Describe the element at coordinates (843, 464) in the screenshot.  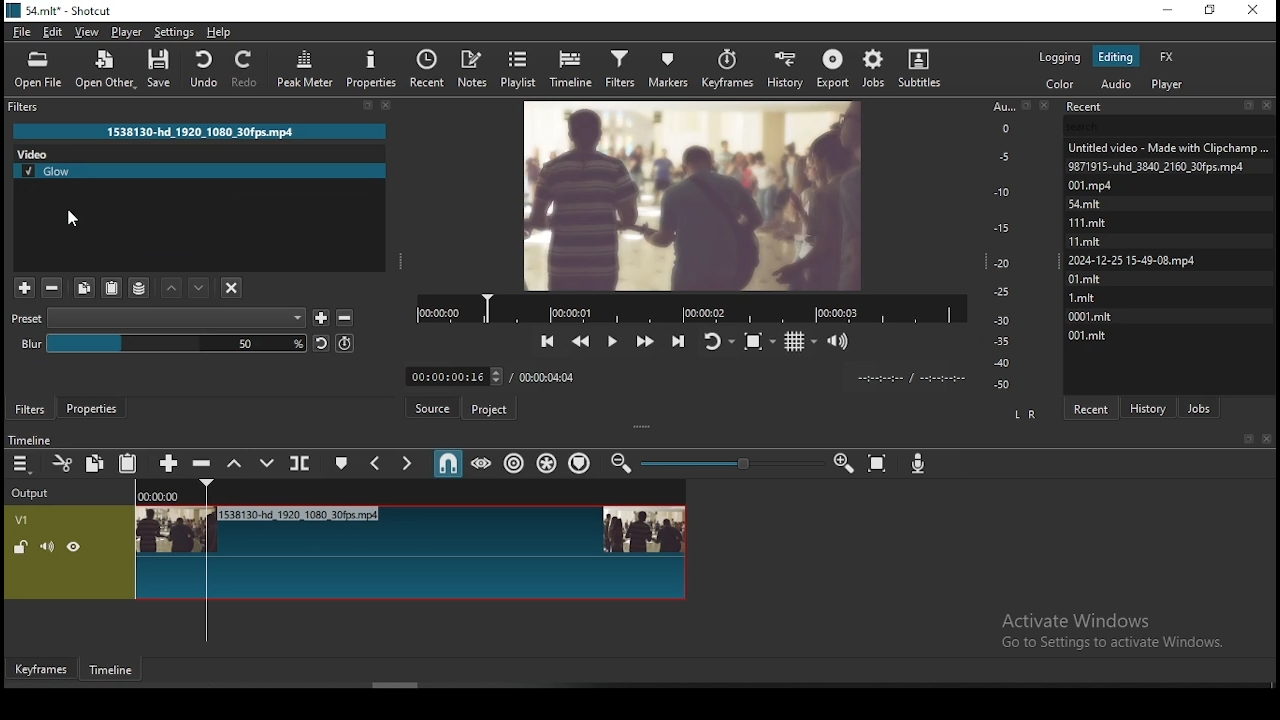
I see `zoom timeline out` at that location.